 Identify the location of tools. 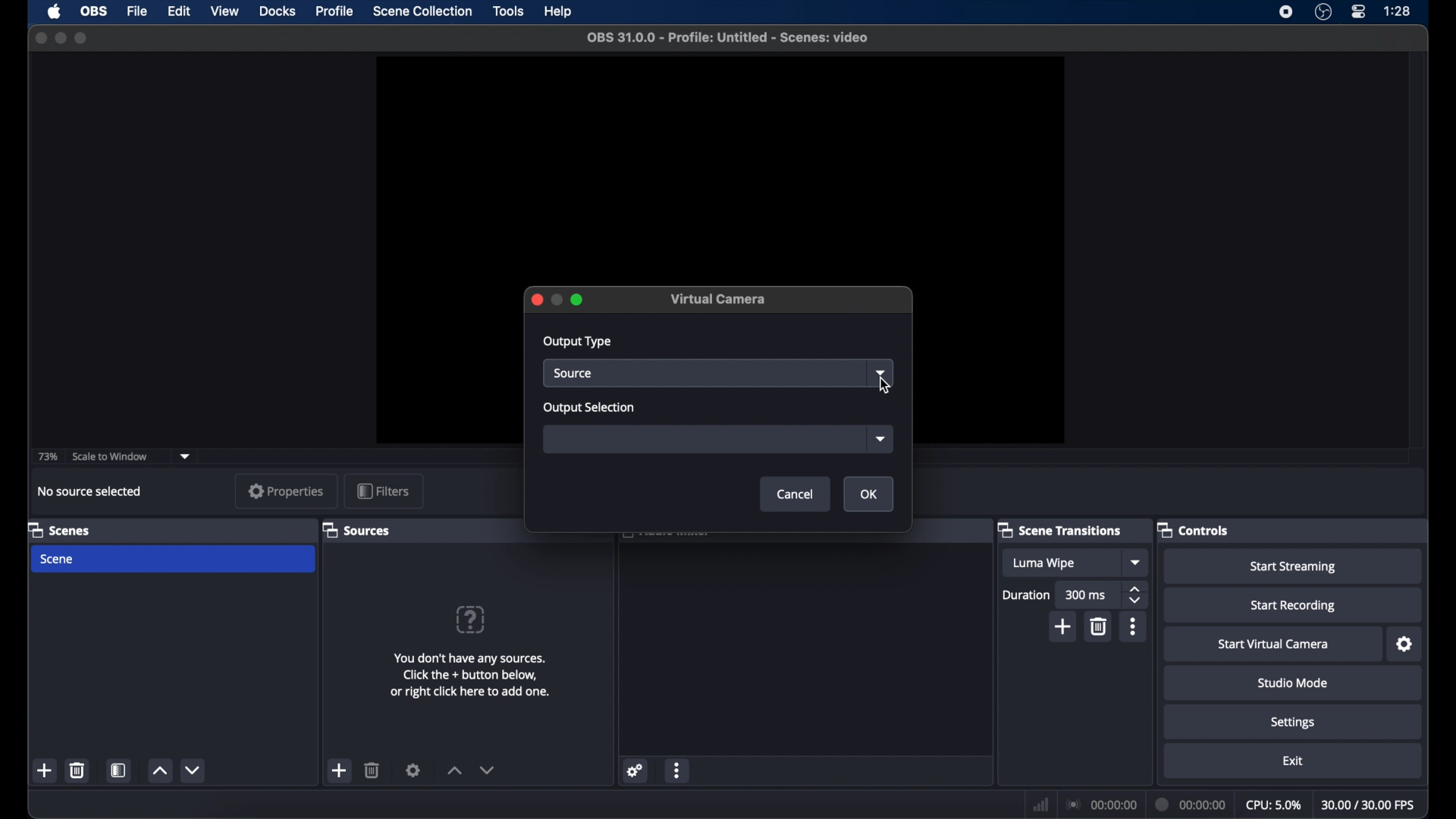
(509, 10).